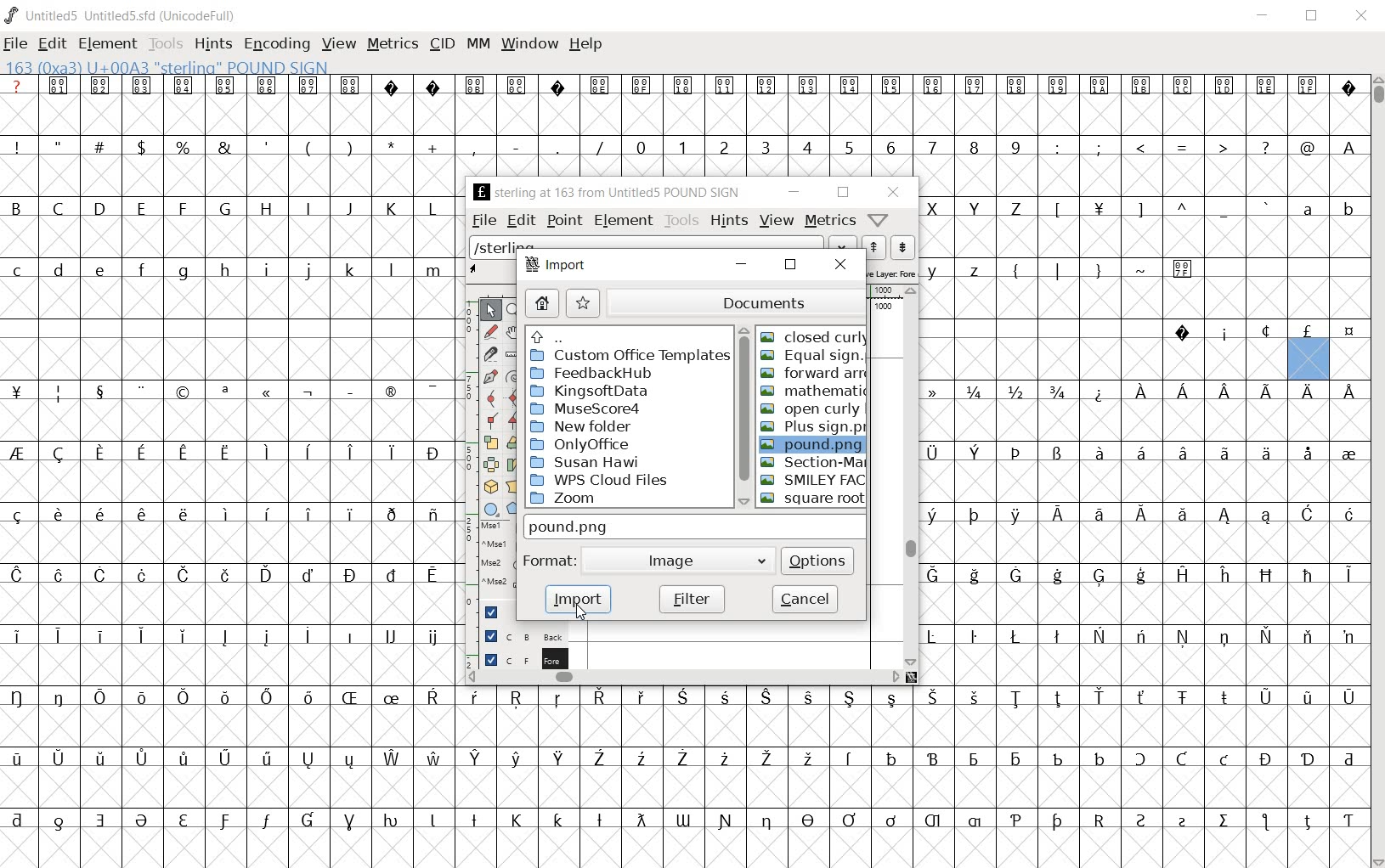  What do you see at coordinates (182, 209) in the screenshot?
I see `F` at bounding box center [182, 209].